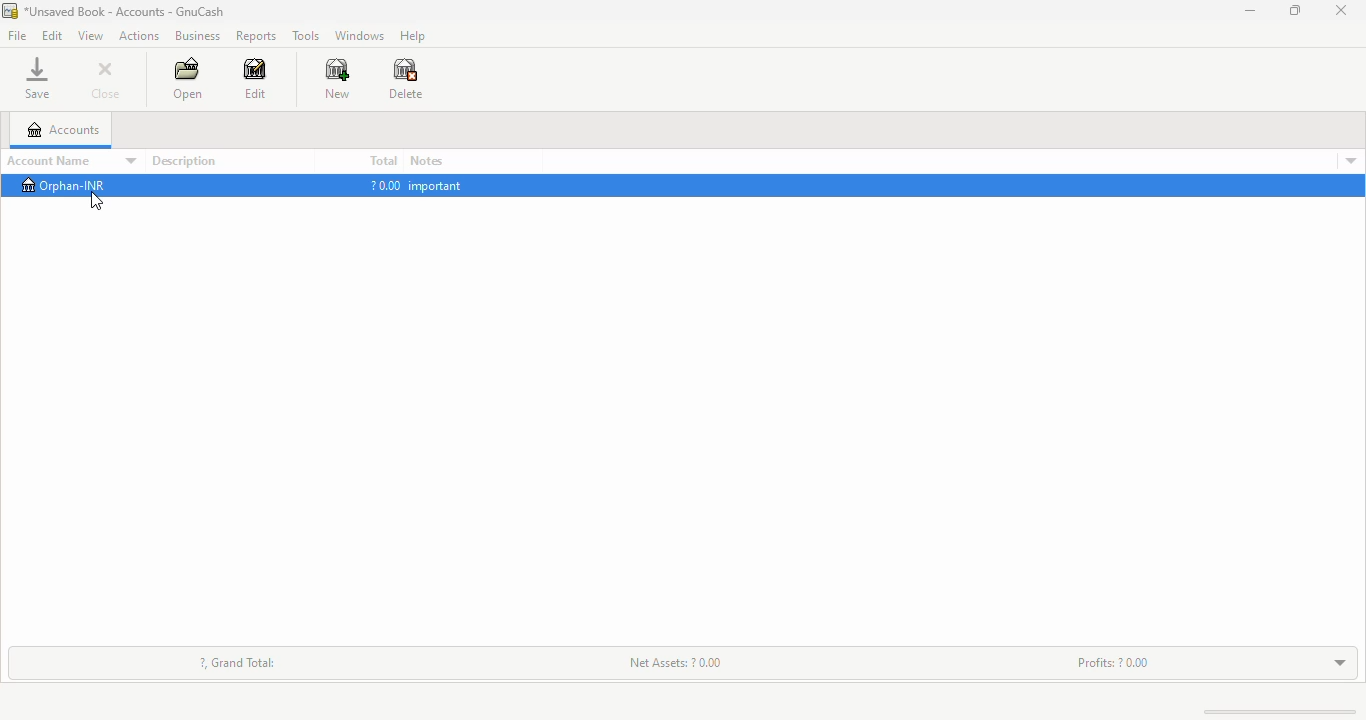  What do you see at coordinates (1340, 662) in the screenshot?
I see `toggle expand` at bounding box center [1340, 662].